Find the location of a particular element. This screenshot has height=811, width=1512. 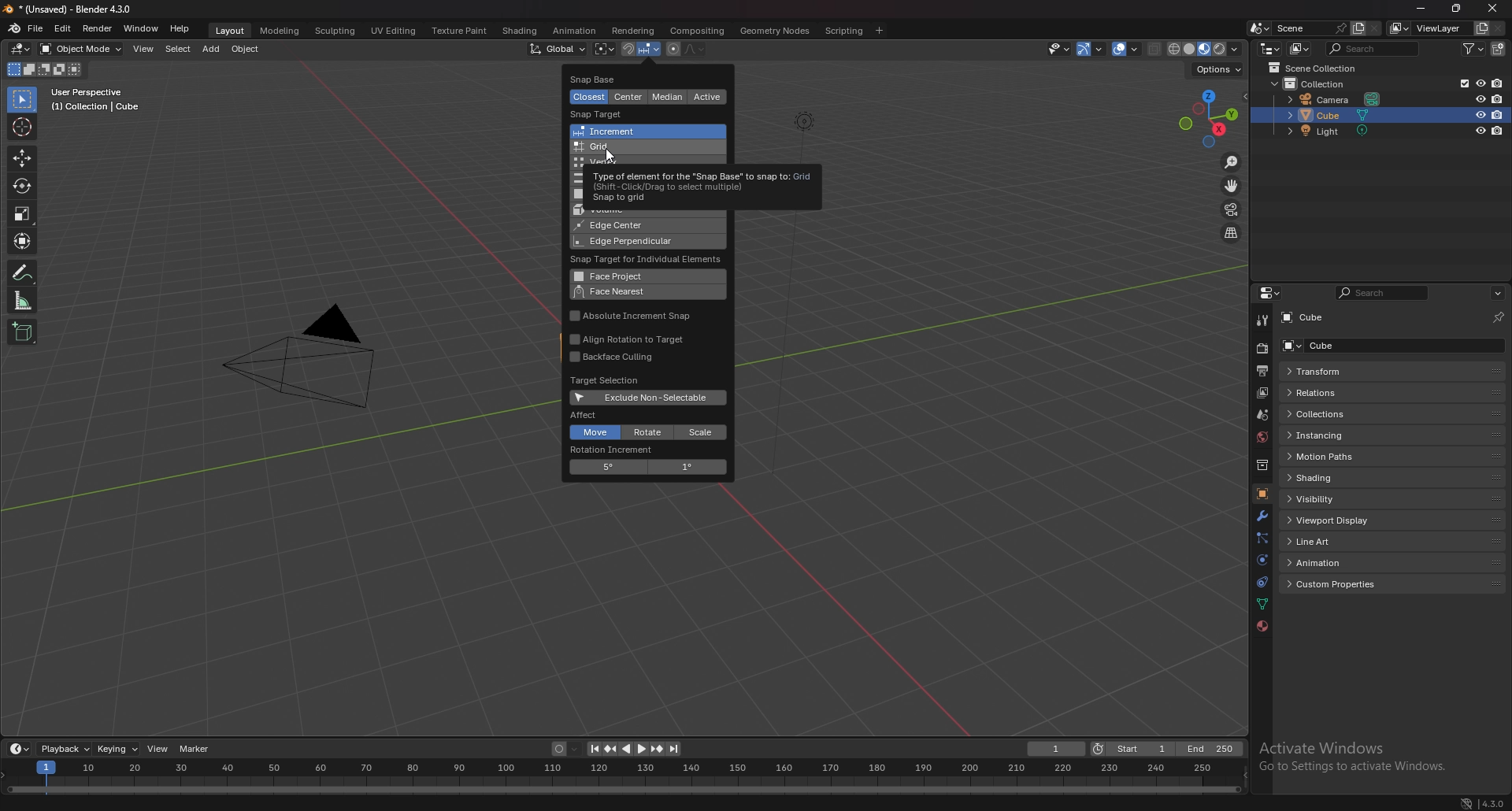

hide in viewport is located at coordinates (1480, 131).